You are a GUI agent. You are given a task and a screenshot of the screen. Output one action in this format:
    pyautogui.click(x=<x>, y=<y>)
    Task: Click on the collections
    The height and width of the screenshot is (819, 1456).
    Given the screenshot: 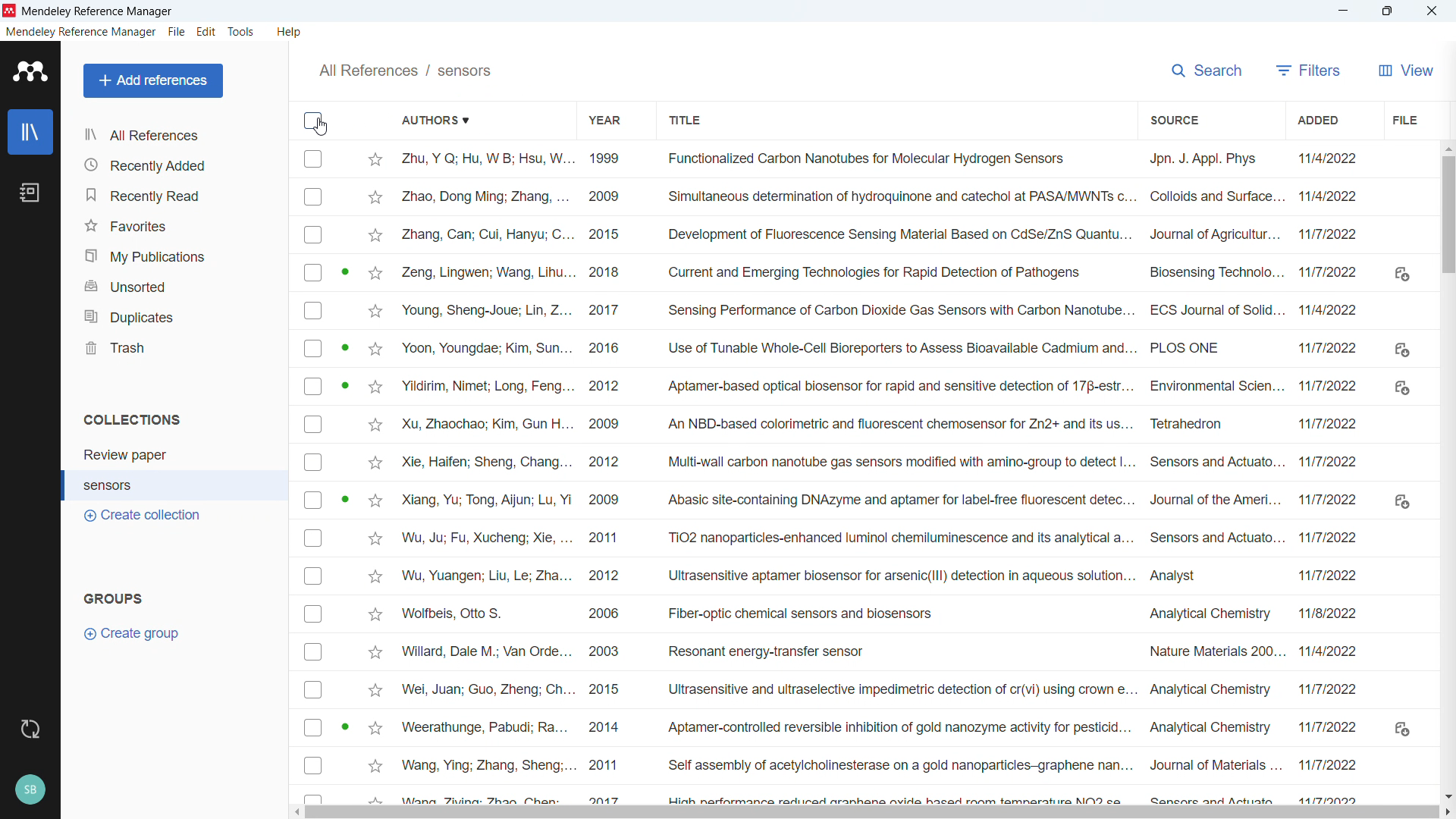 What is the action you would take?
    pyautogui.click(x=131, y=419)
    